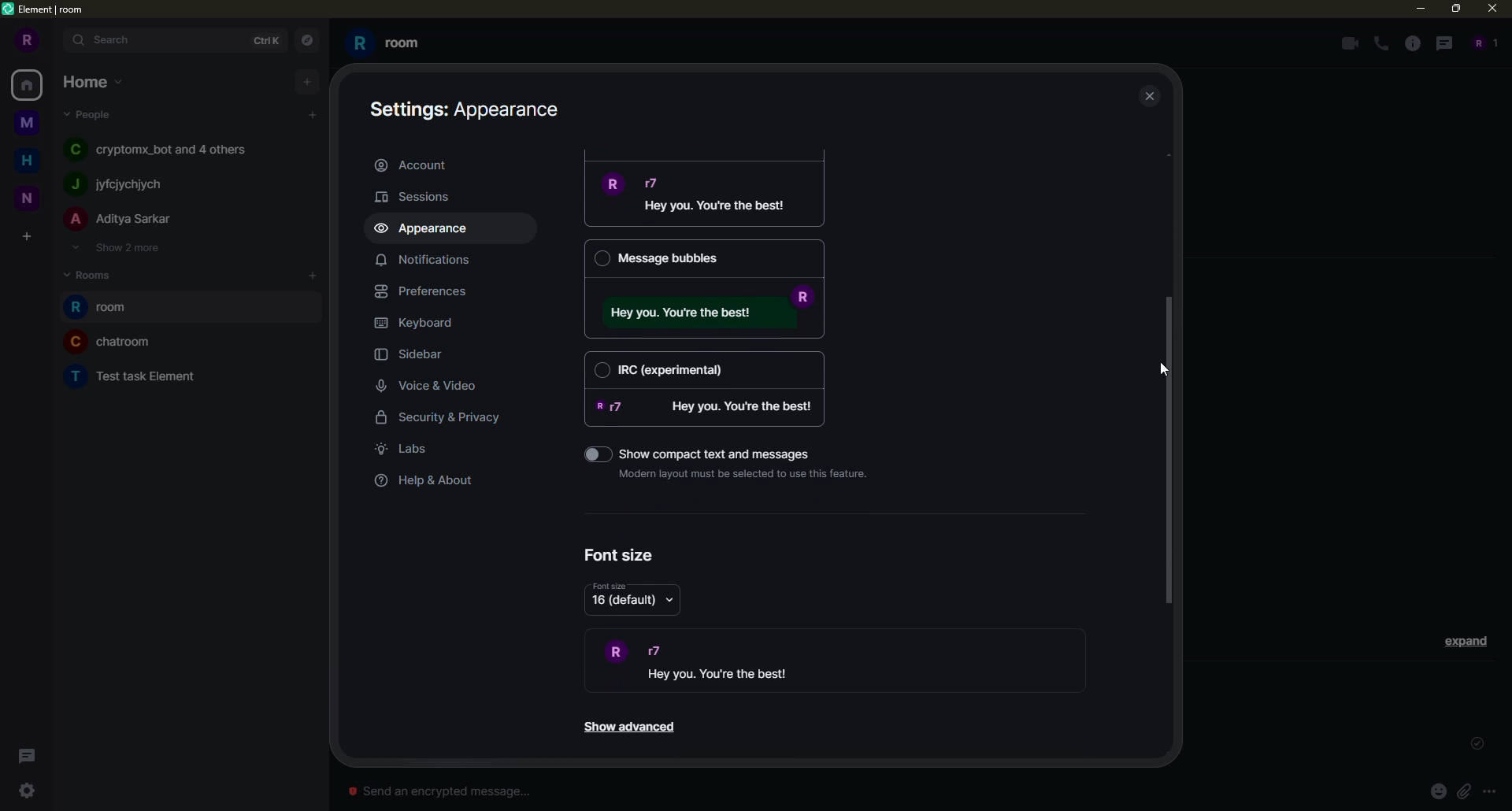  Describe the element at coordinates (422, 259) in the screenshot. I see `notifications` at that location.